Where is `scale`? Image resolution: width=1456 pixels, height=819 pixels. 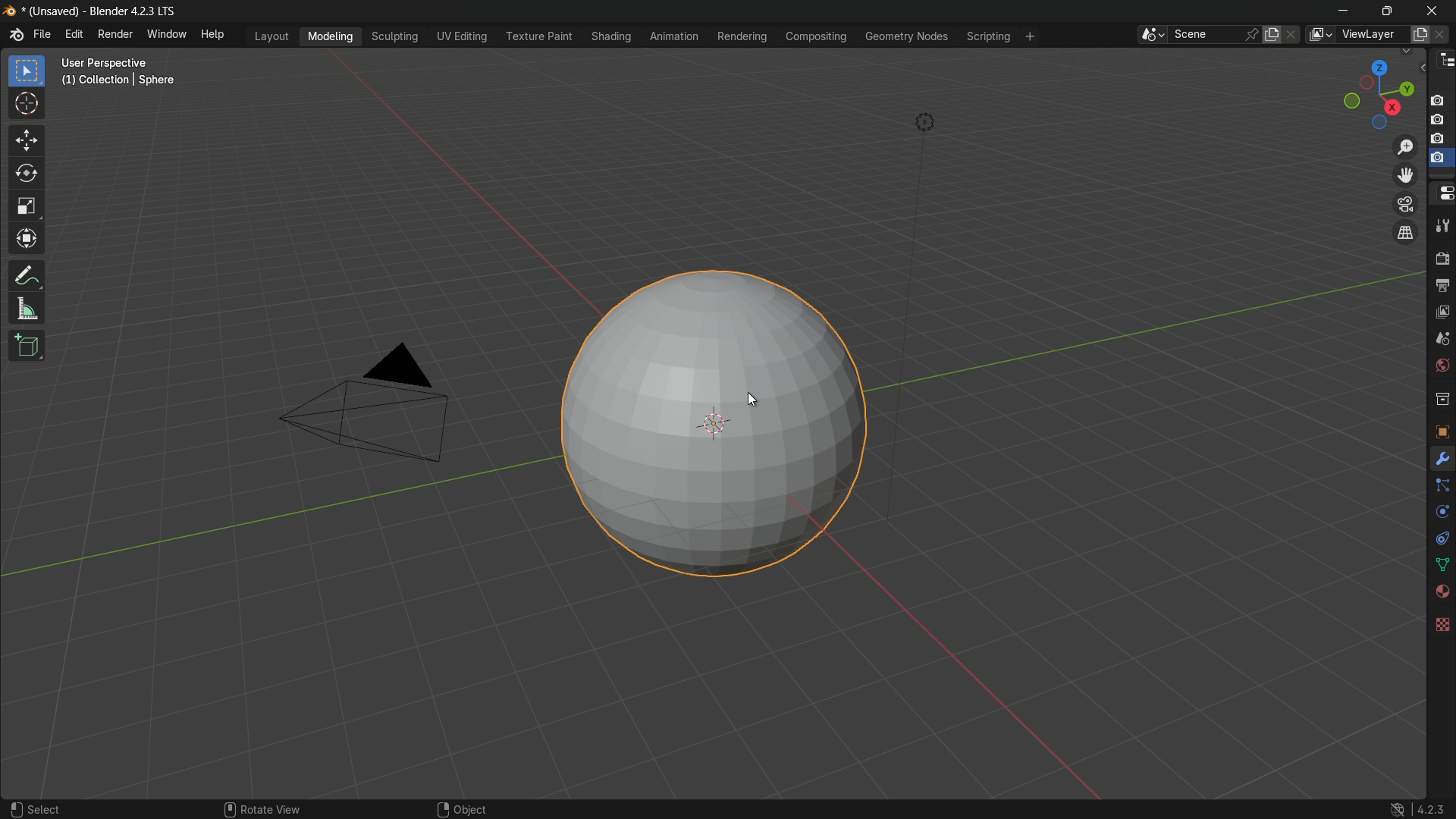
scale is located at coordinates (26, 208).